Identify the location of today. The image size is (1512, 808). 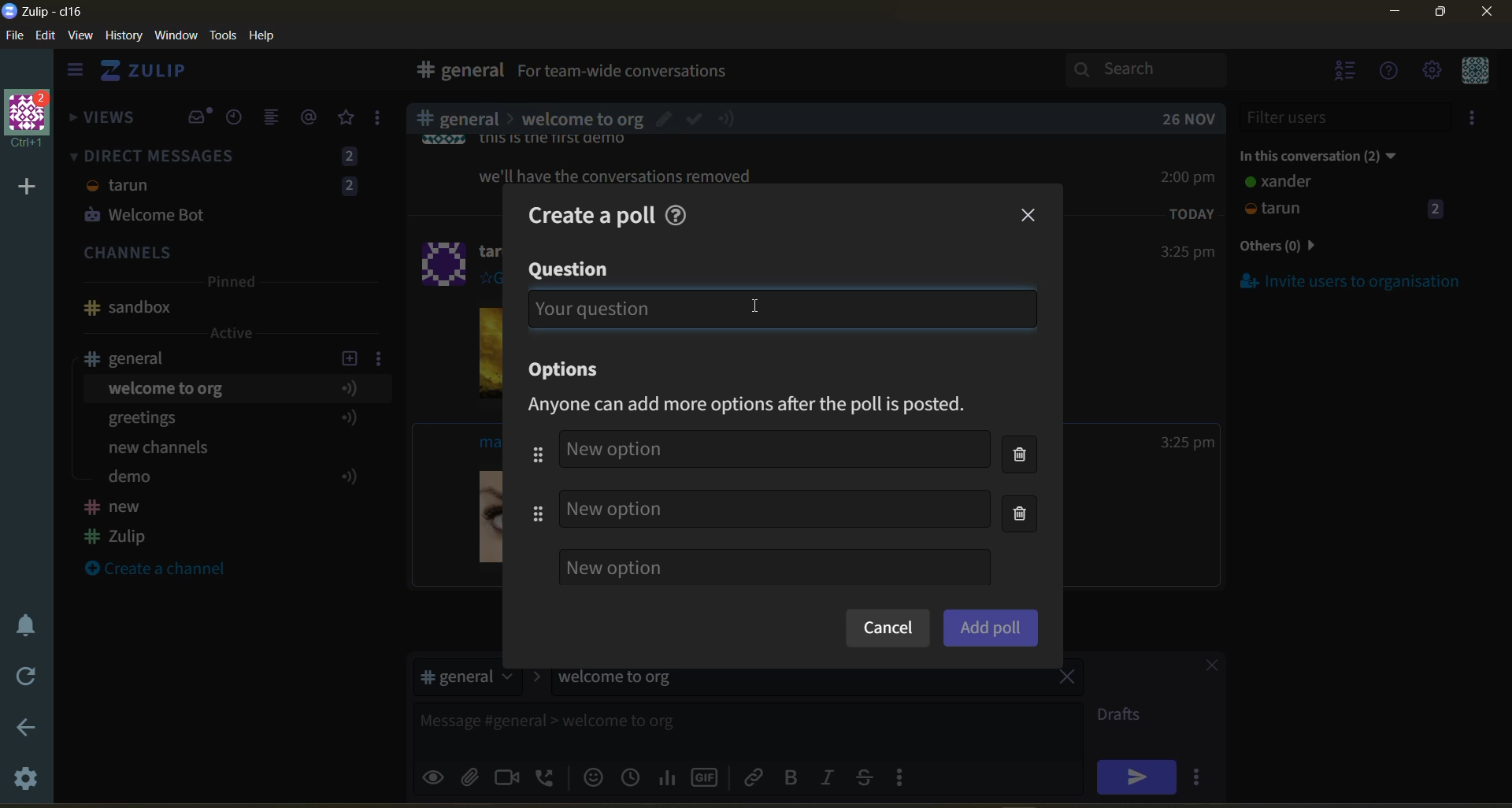
(1192, 213).